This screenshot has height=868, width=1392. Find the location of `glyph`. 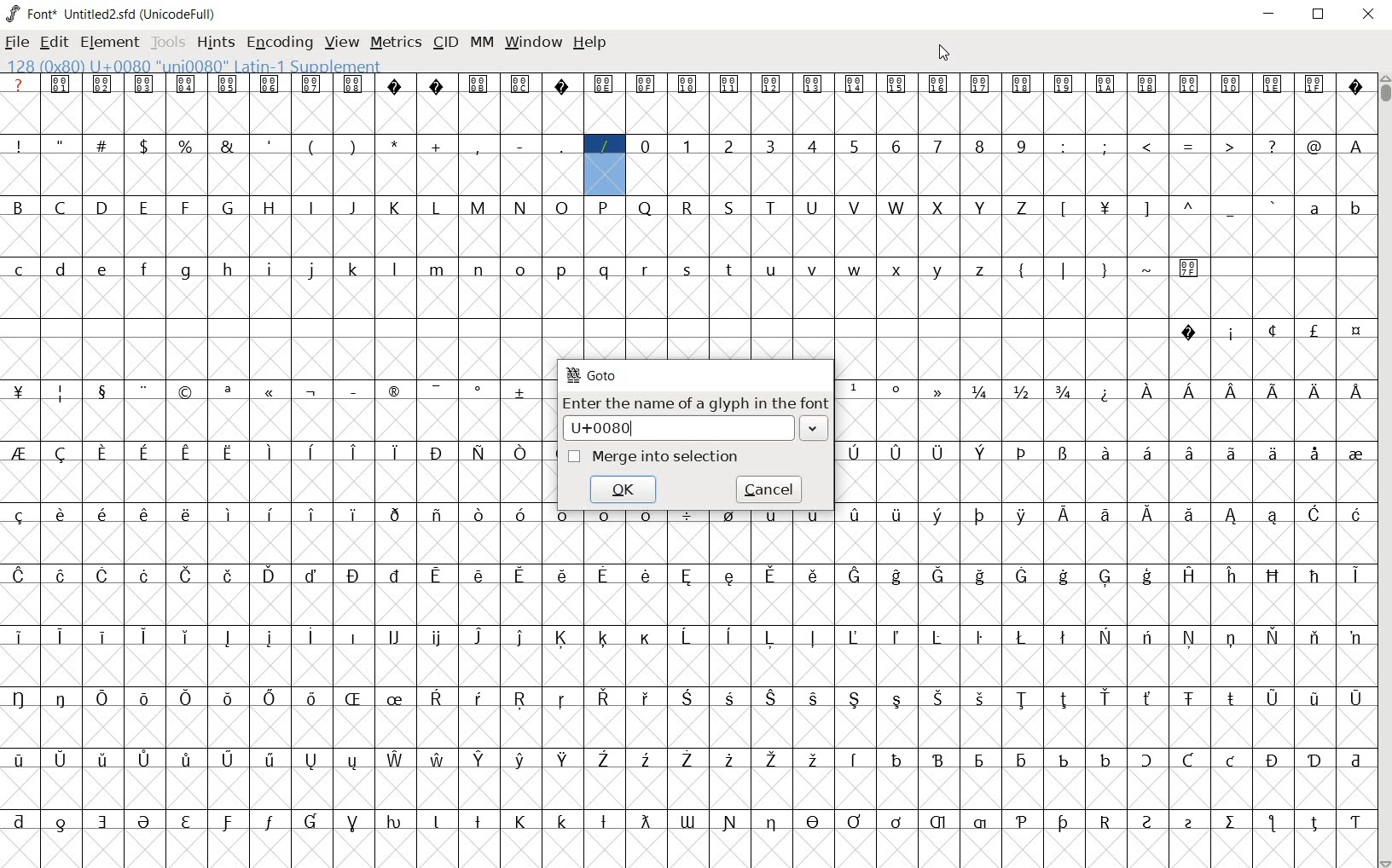

glyph is located at coordinates (687, 209).